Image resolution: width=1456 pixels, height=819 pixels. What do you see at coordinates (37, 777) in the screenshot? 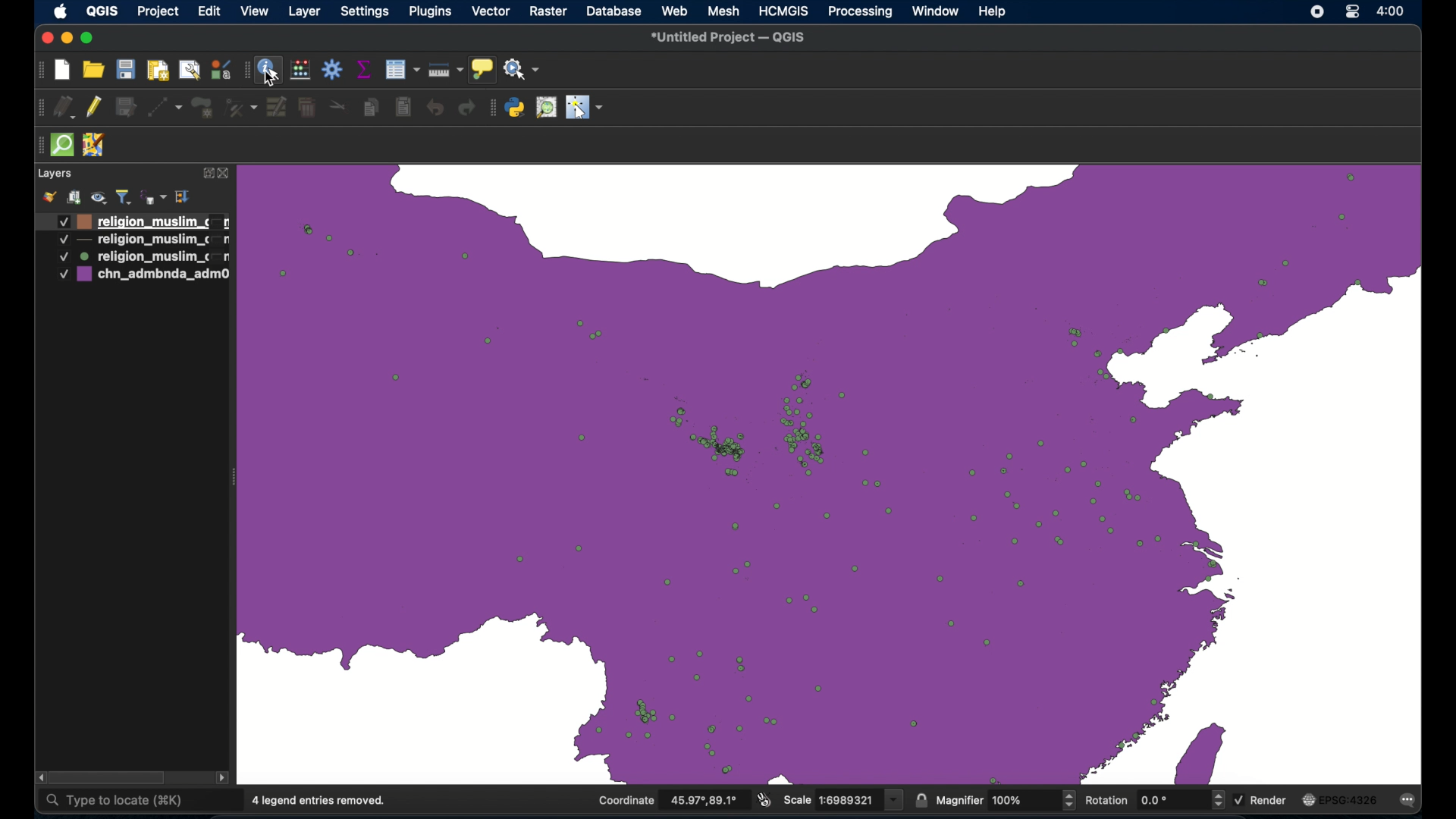
I see `scroll left arrow` at bounding box center [37, 777].